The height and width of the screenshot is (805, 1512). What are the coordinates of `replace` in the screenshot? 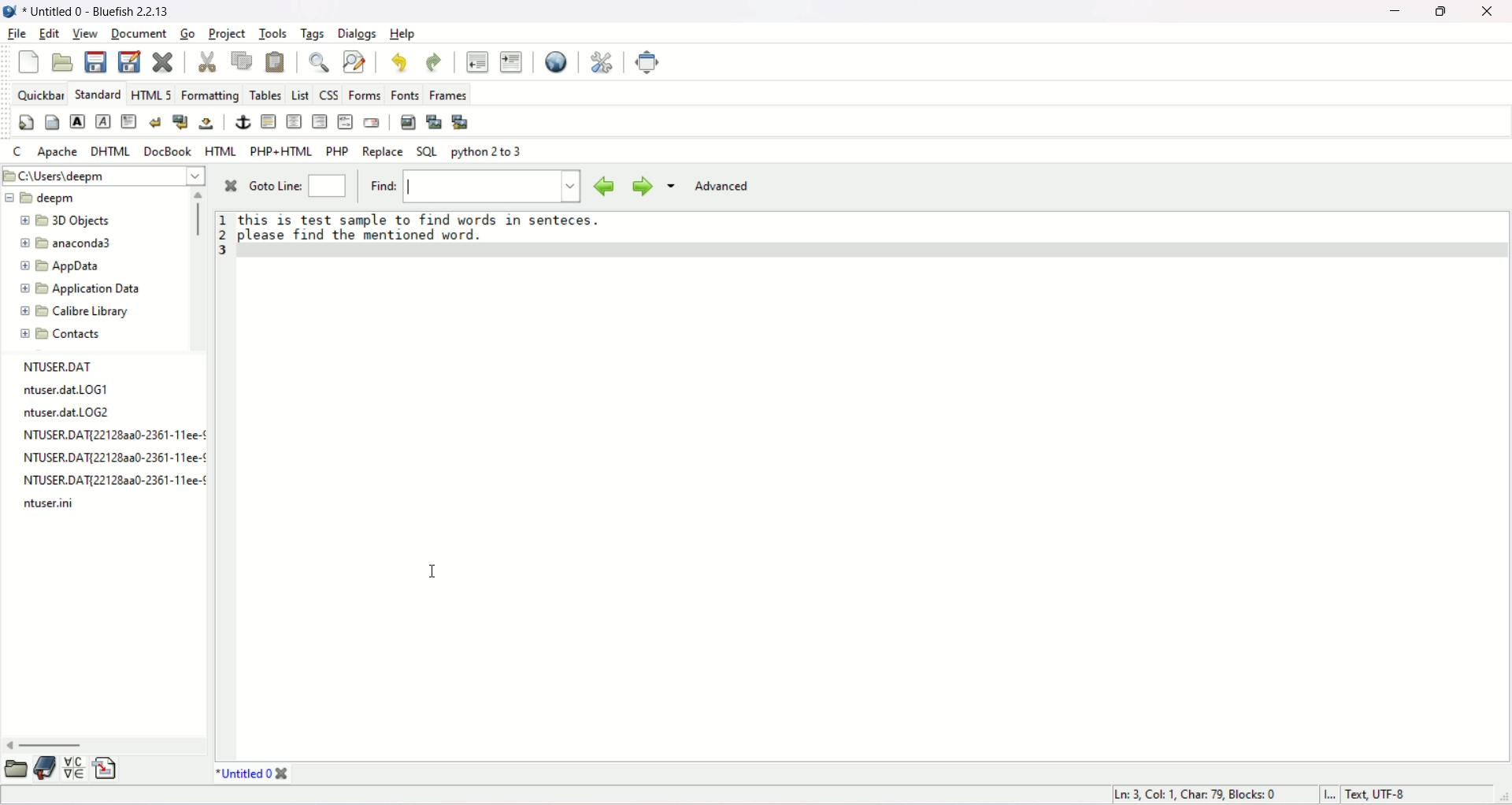 It's located at (384, 151).